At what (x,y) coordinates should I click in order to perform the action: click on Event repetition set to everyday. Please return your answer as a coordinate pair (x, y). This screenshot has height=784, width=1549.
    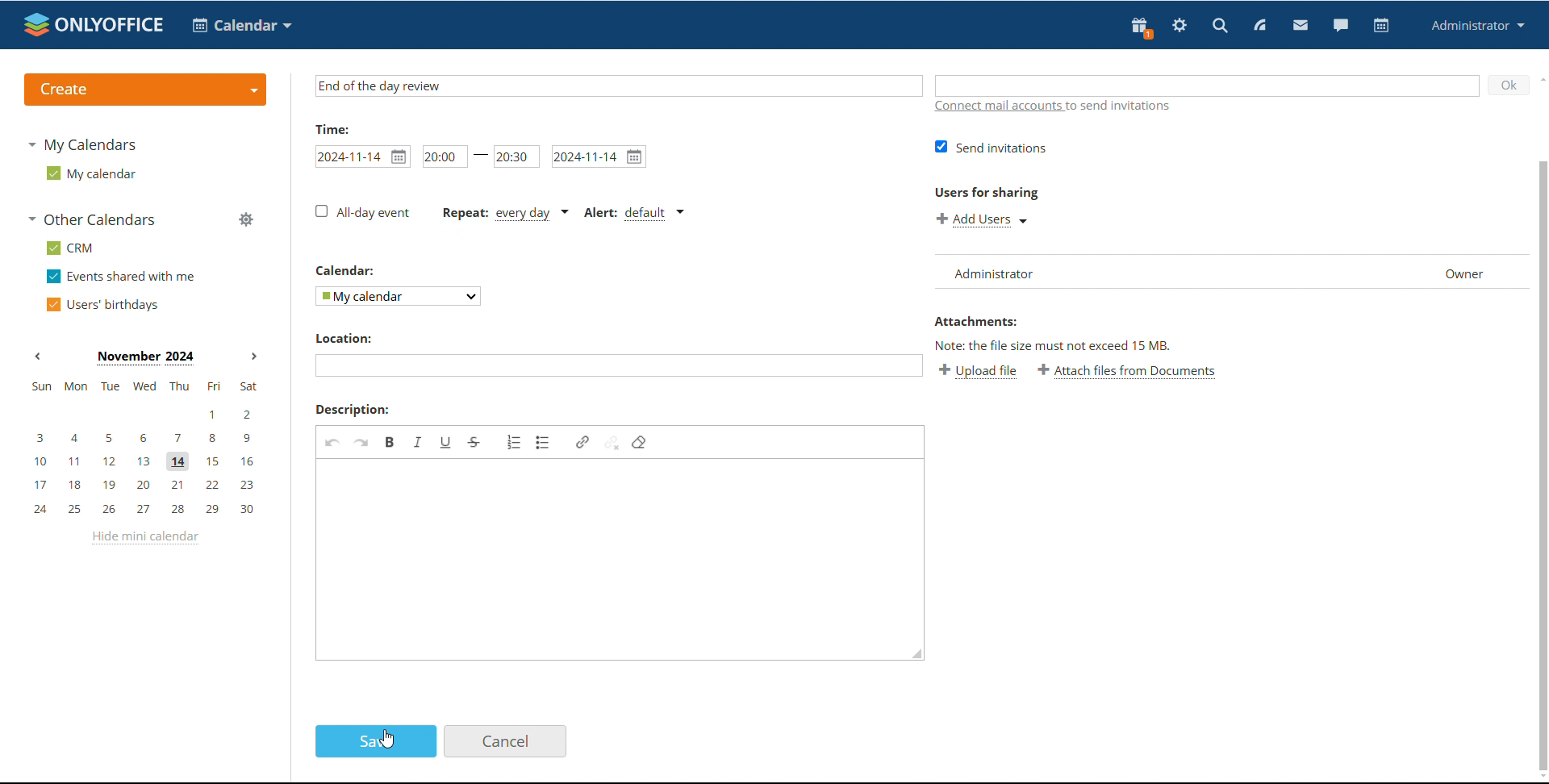
    Looking at the image, I should click on (505, 215).